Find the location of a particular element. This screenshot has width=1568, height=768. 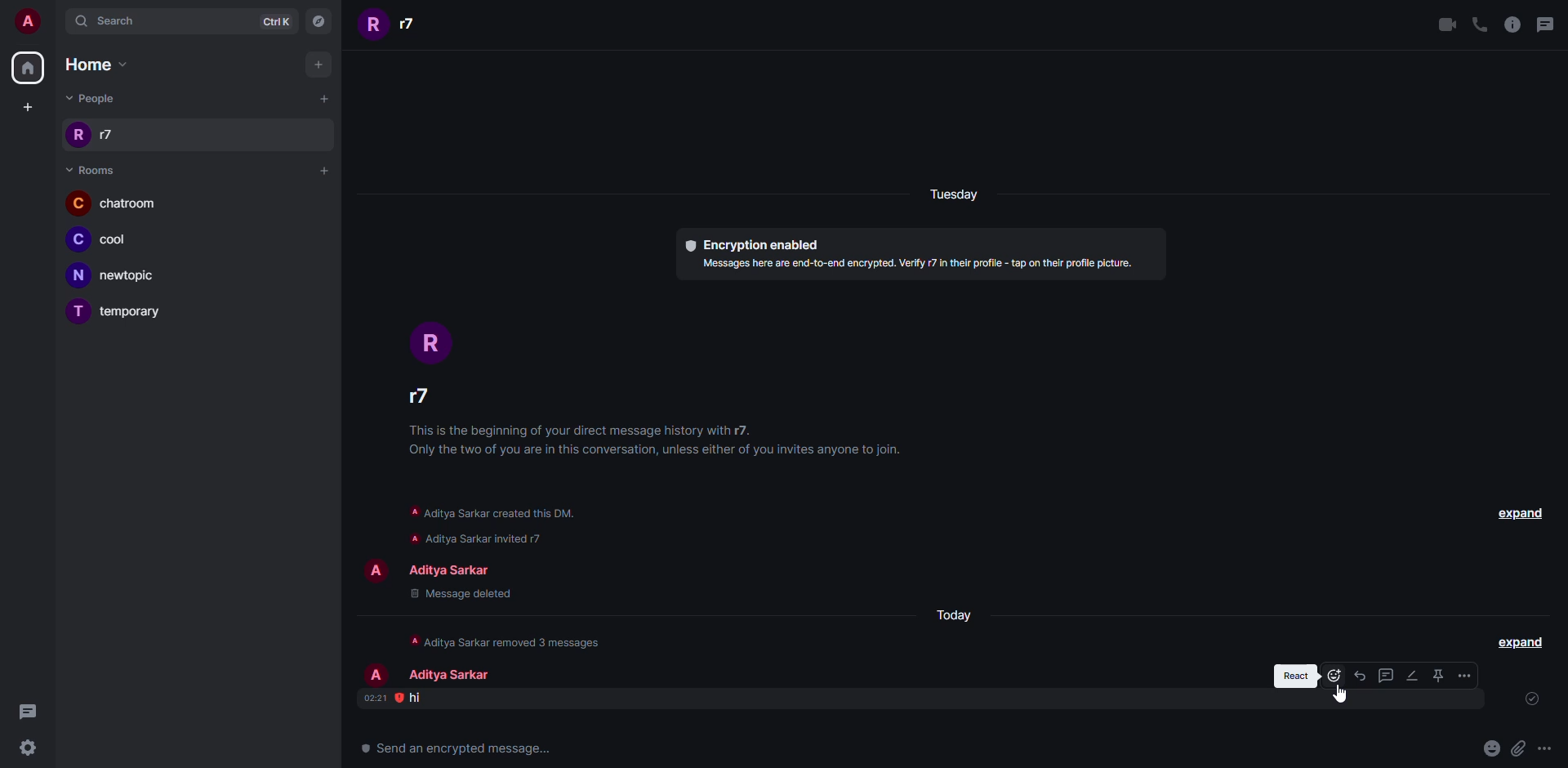

react is located at coordinates (1297, 676).